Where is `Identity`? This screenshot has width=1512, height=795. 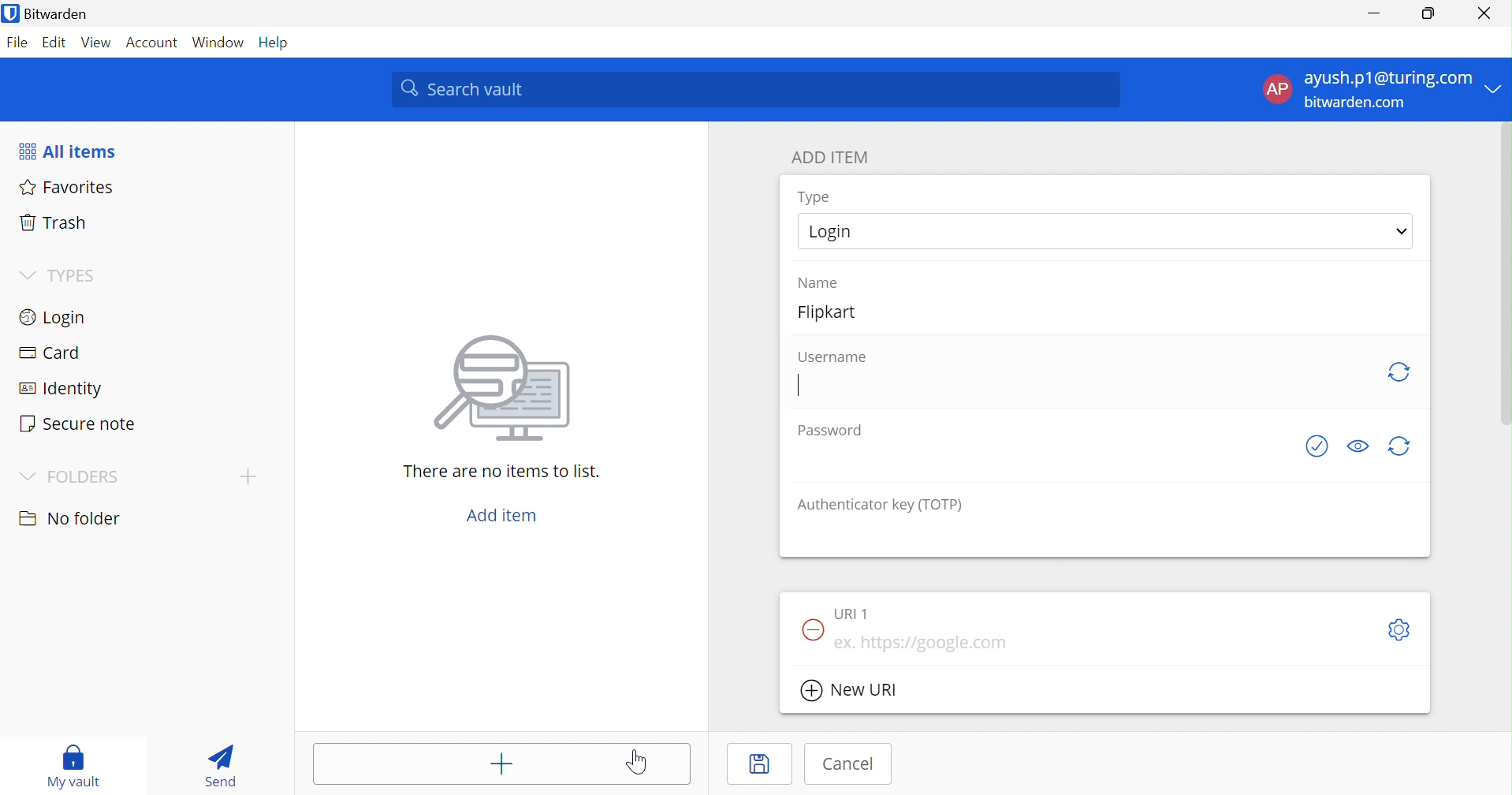
Identity is located at coordinates (62, 390).